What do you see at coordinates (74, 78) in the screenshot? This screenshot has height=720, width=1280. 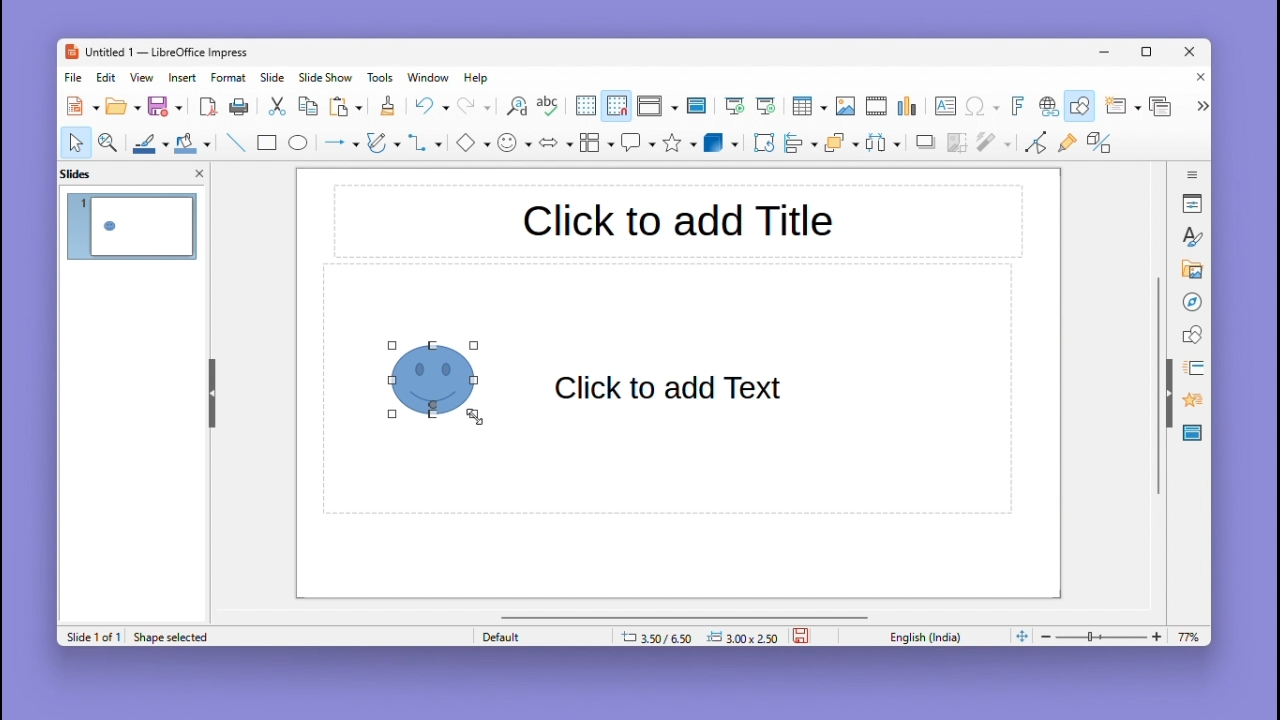 I see `File` at bounding box center [74, 78].